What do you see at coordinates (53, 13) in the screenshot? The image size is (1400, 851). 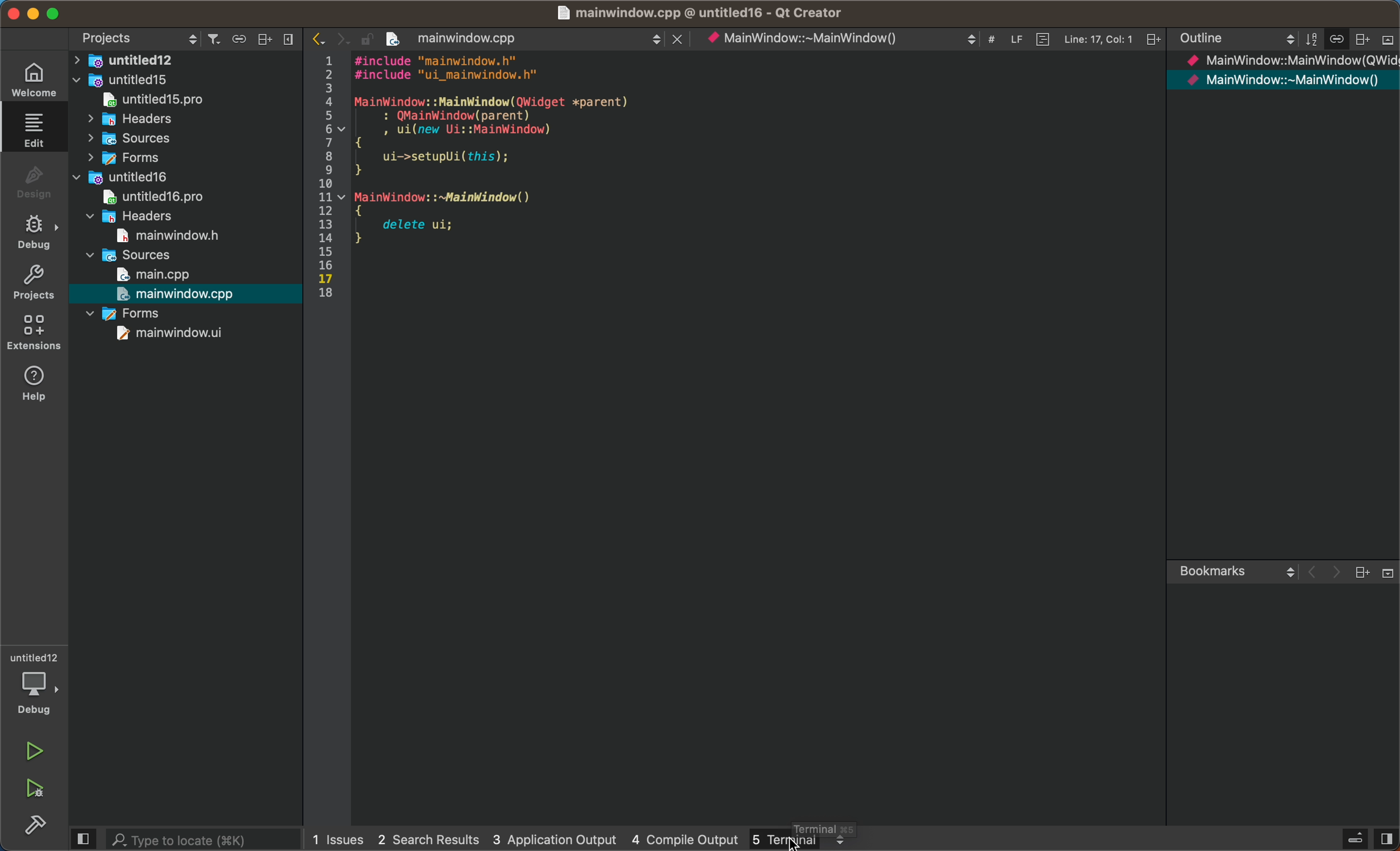 I see `minimize` at bounding box center [53, 13].